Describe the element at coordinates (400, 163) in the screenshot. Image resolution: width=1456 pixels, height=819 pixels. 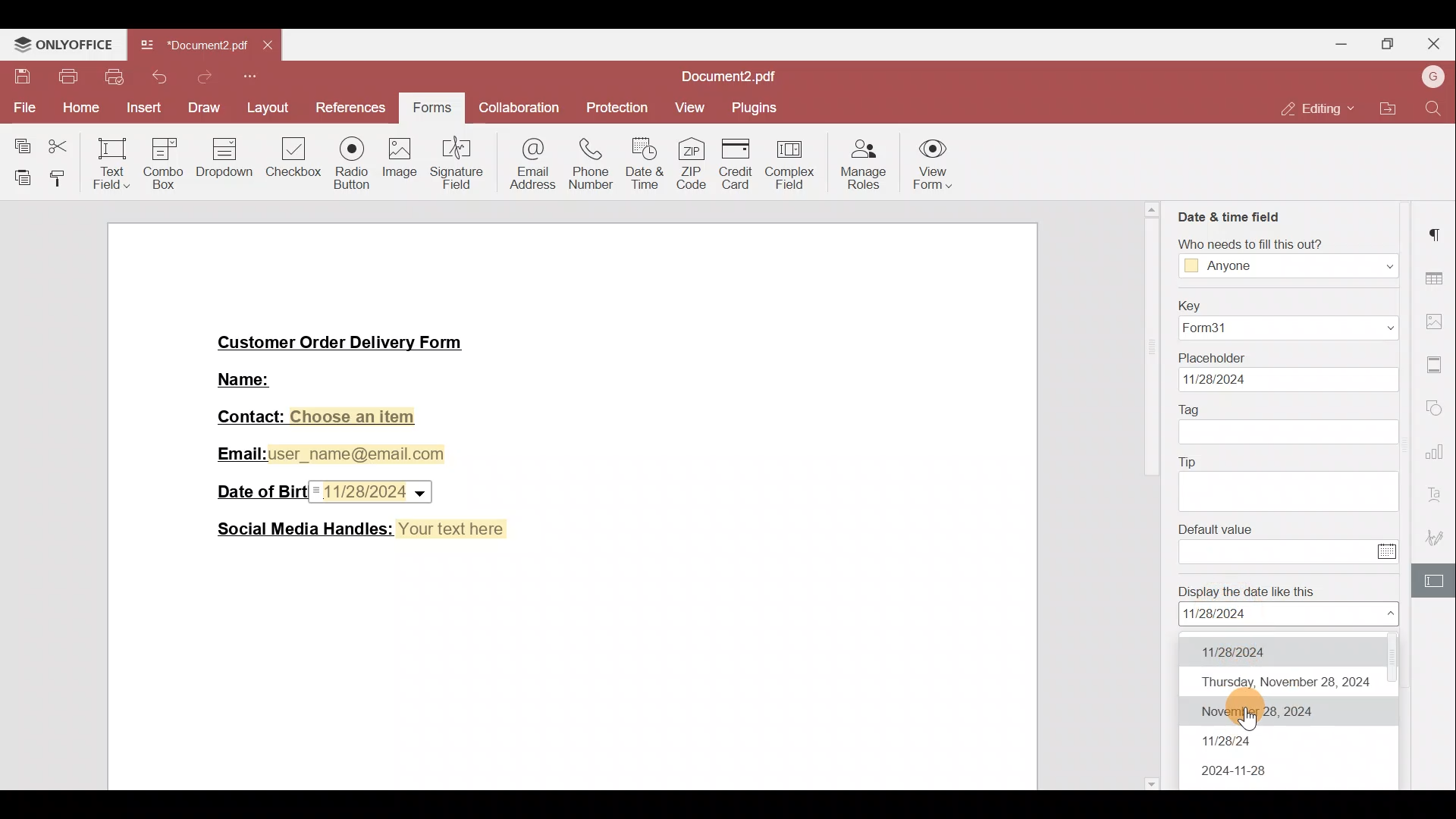
I see `Image` at that location.